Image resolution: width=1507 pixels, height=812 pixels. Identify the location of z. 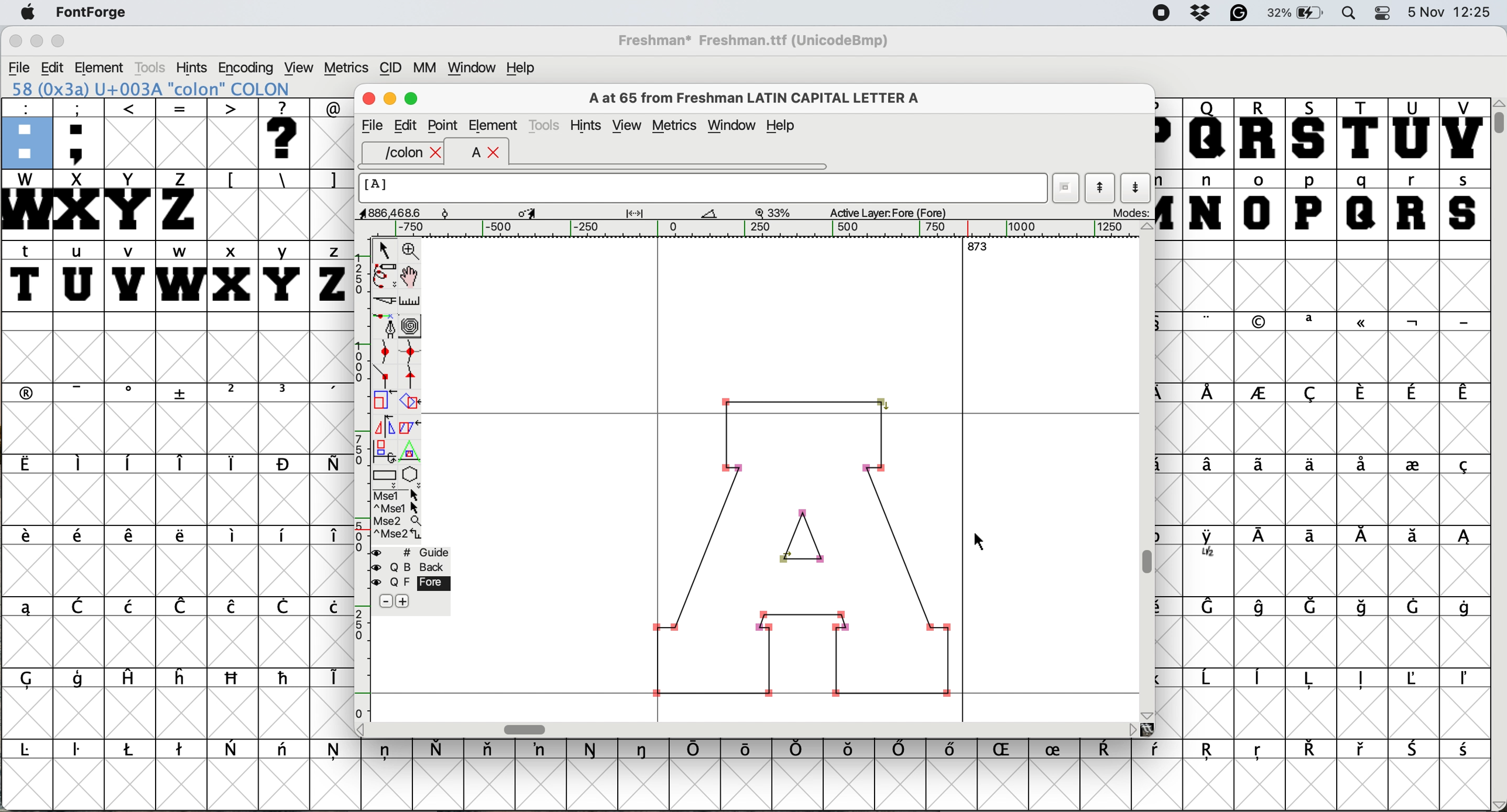
(329, 276).